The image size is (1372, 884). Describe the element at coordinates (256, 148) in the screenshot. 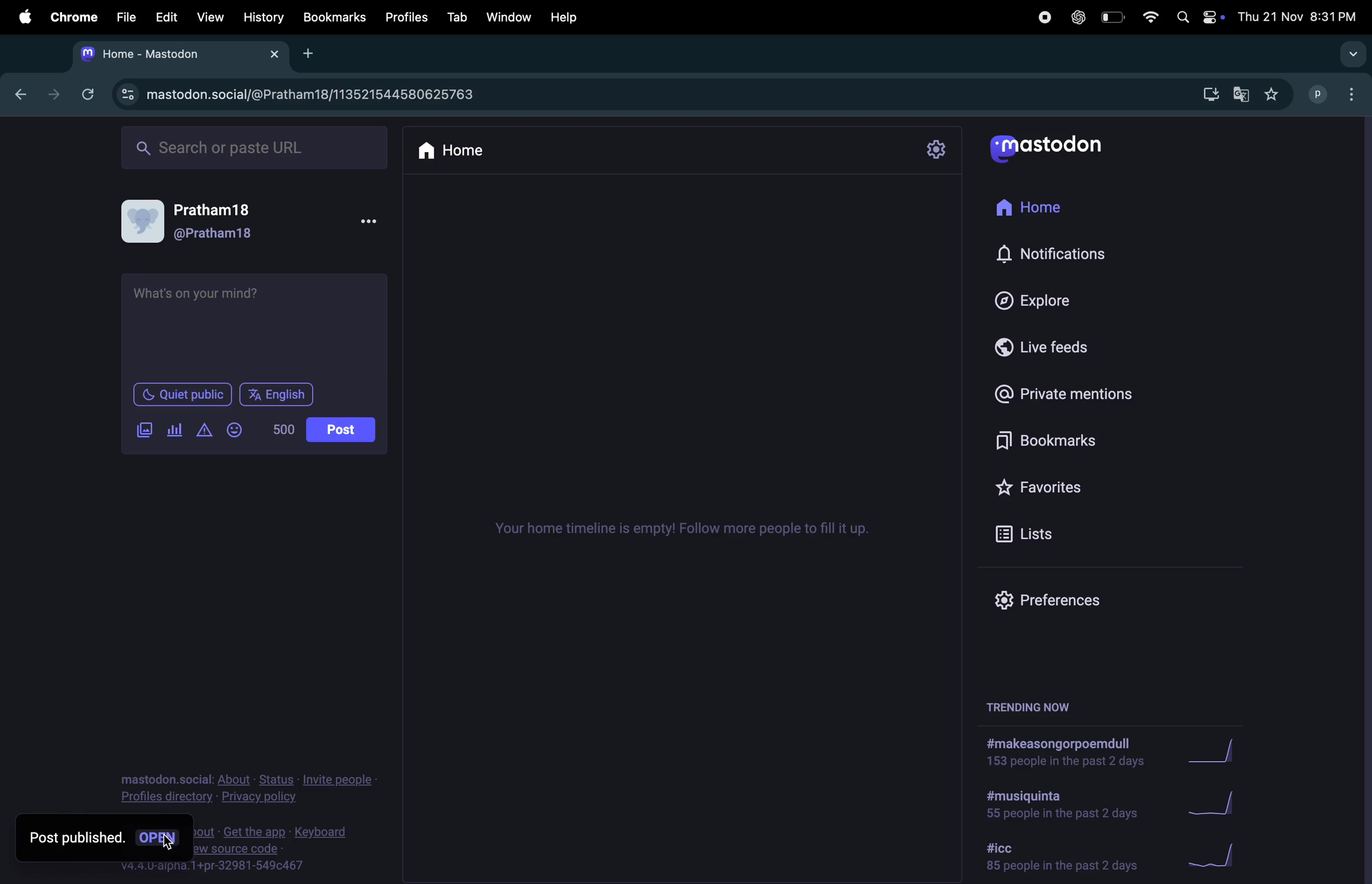

I see `searchbar` at that location.